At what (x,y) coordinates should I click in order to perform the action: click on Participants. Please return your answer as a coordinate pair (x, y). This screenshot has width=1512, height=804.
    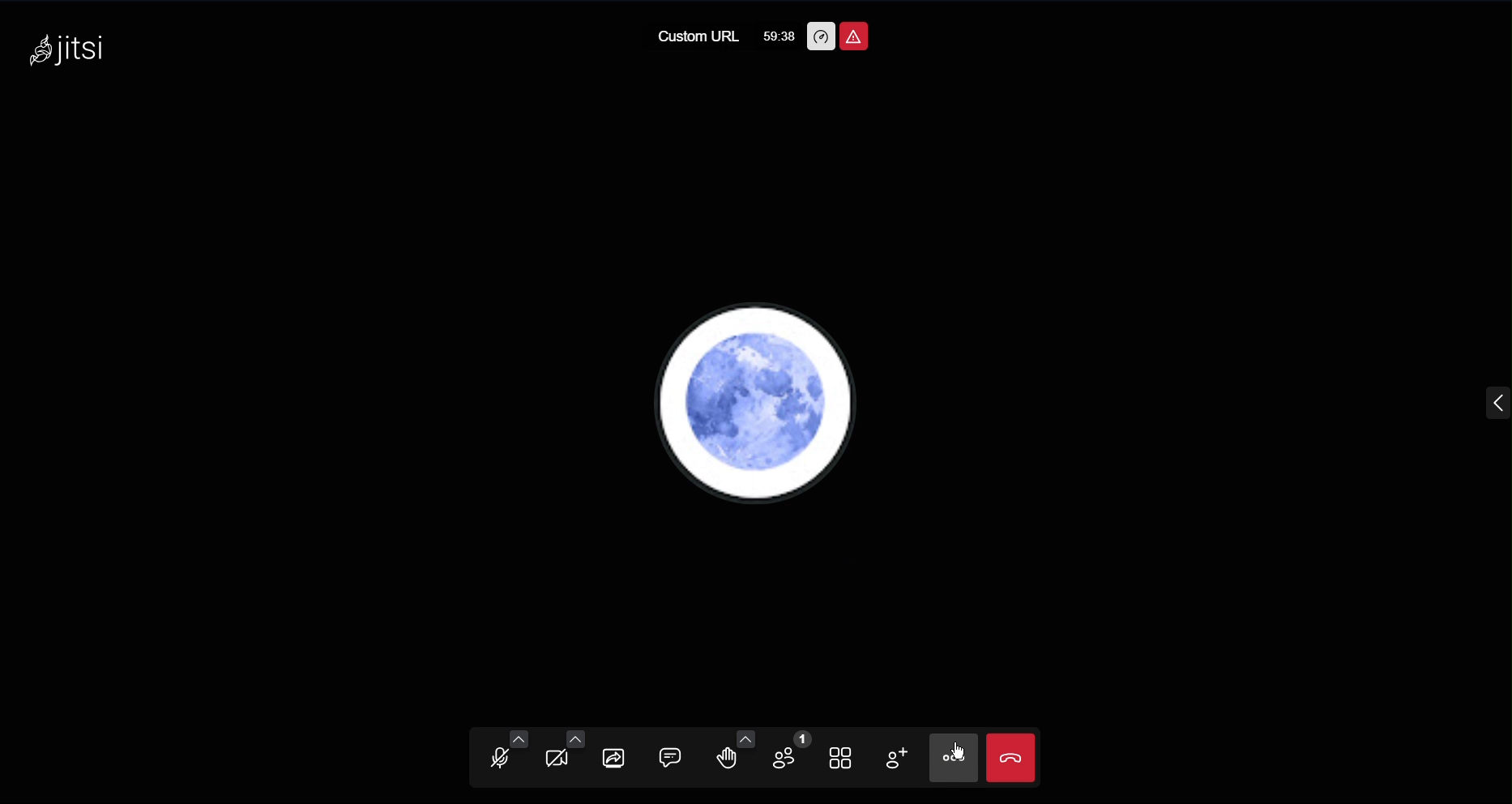
    Looking at the image, I should click on (792, 756).